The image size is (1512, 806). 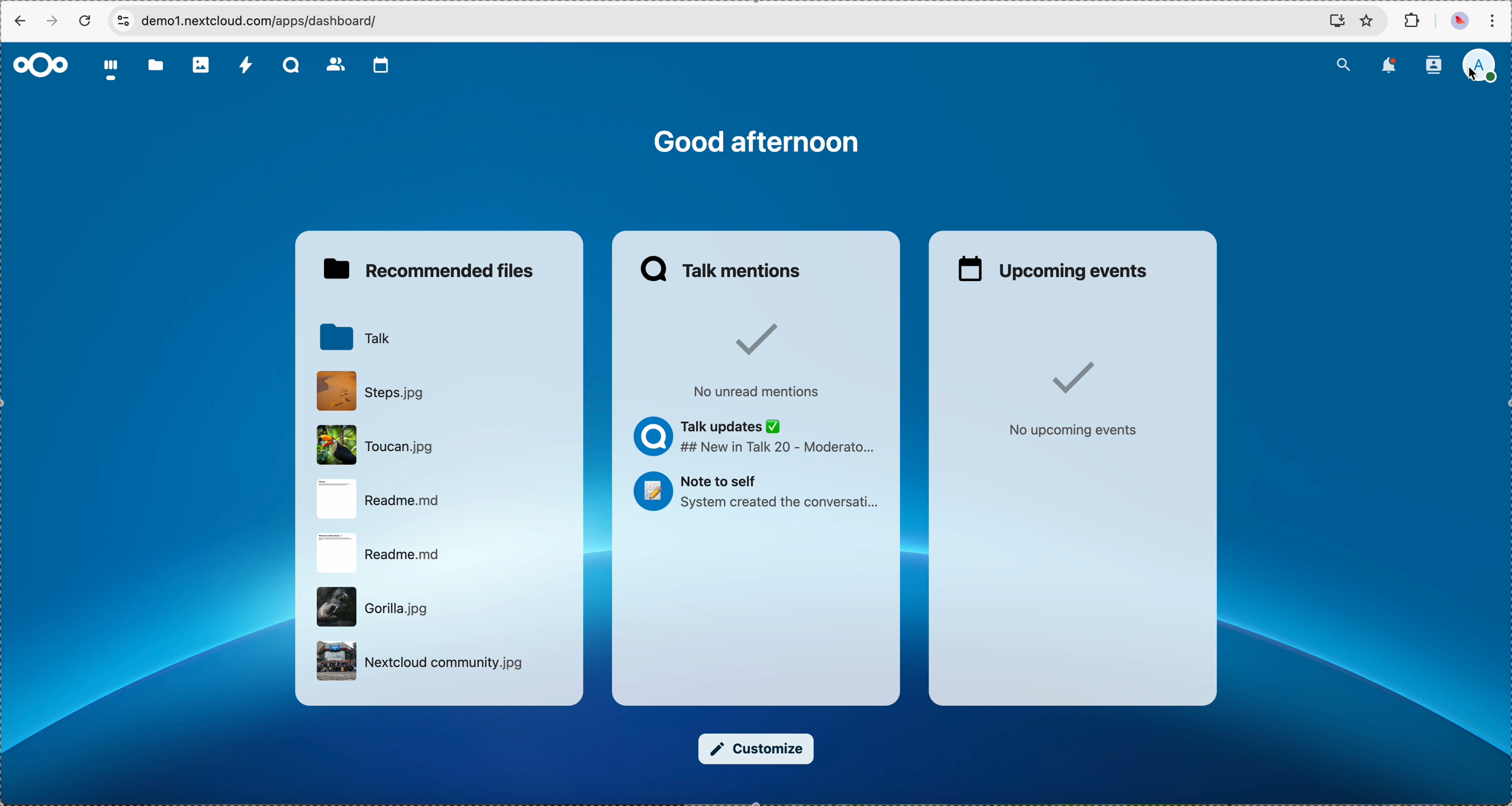 What do you see at coordinates (1055, 269) in the screenshot?
I see `upcoming events` at bounding box center [1055, 269].